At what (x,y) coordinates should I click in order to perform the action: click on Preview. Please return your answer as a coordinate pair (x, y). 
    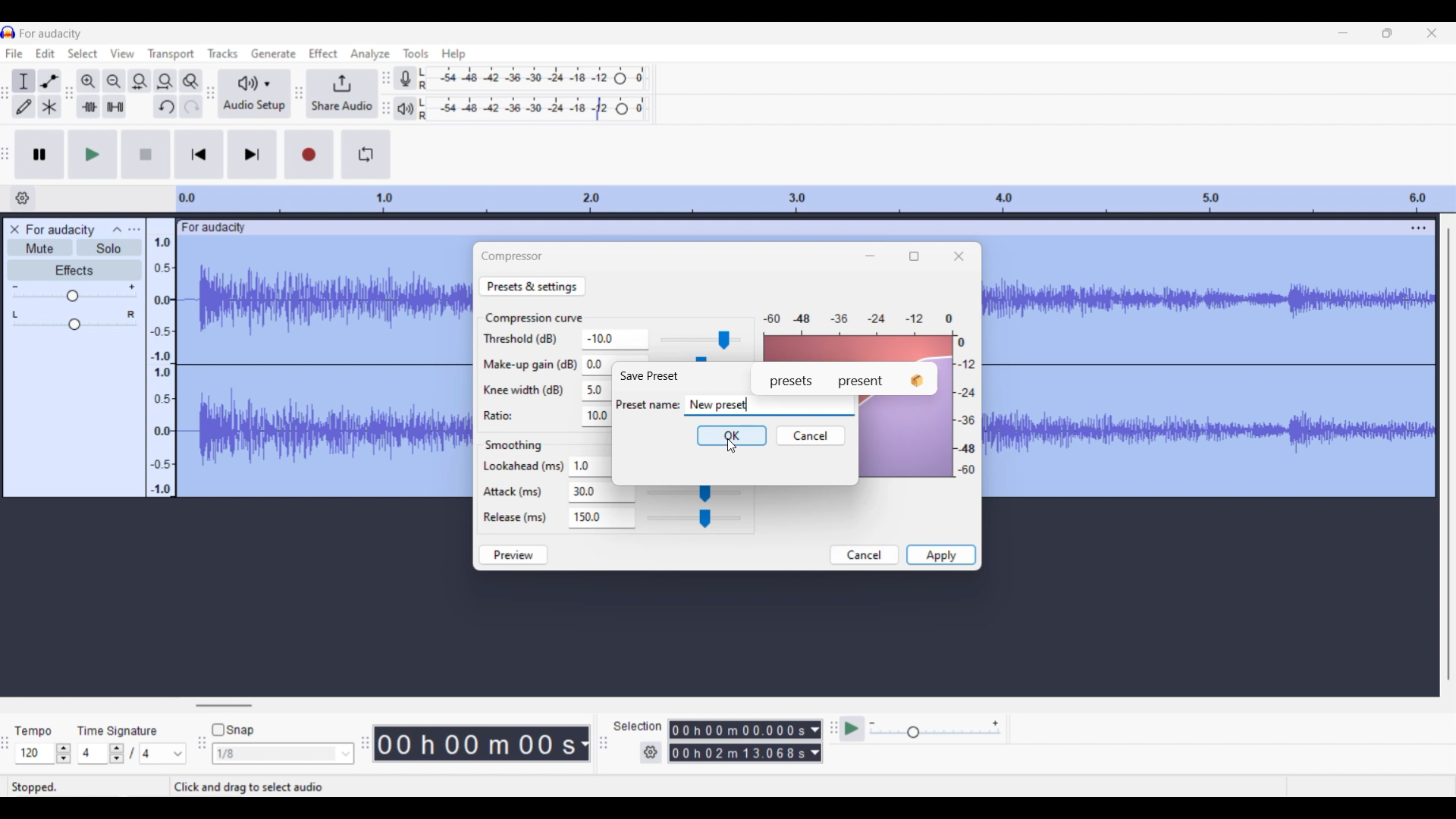
    Looking at the image, I should click on (513, 555).